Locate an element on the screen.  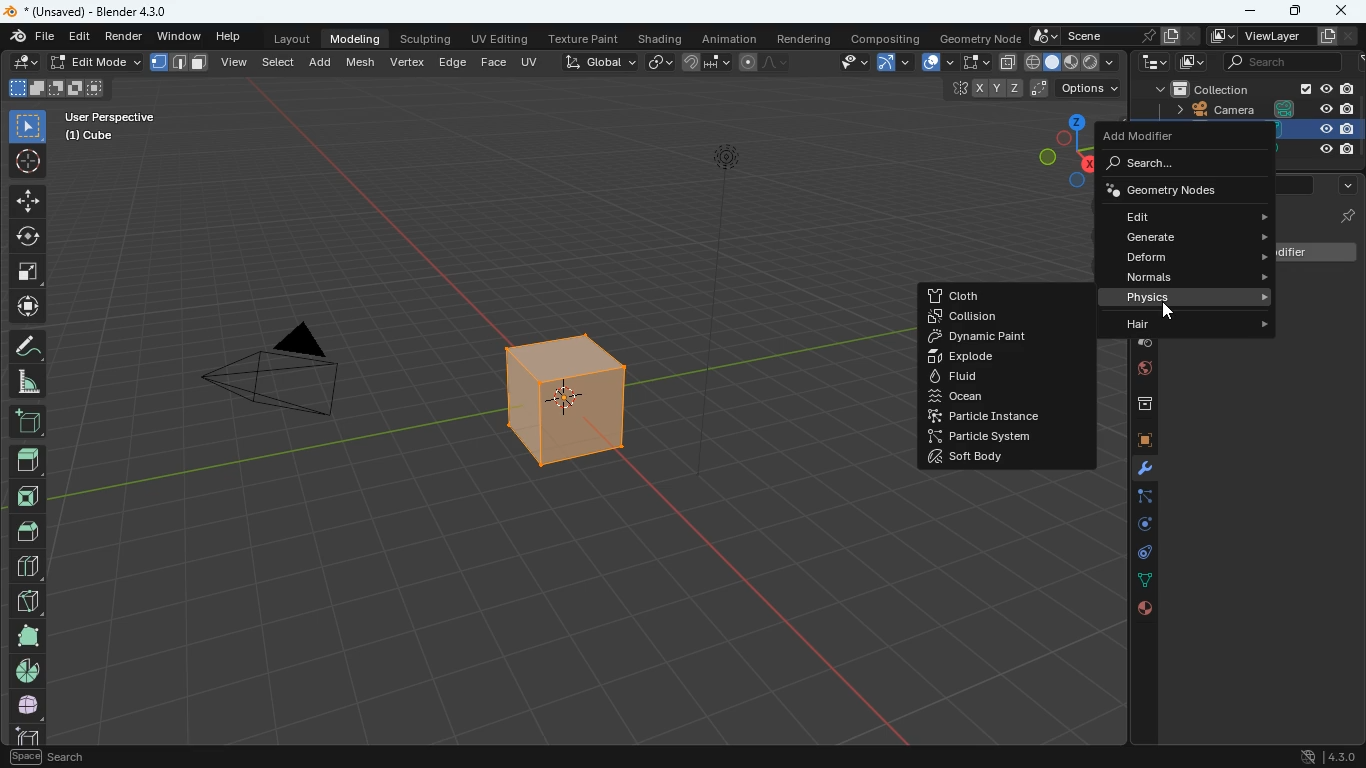
compositing is located at coordinates (887, 36).